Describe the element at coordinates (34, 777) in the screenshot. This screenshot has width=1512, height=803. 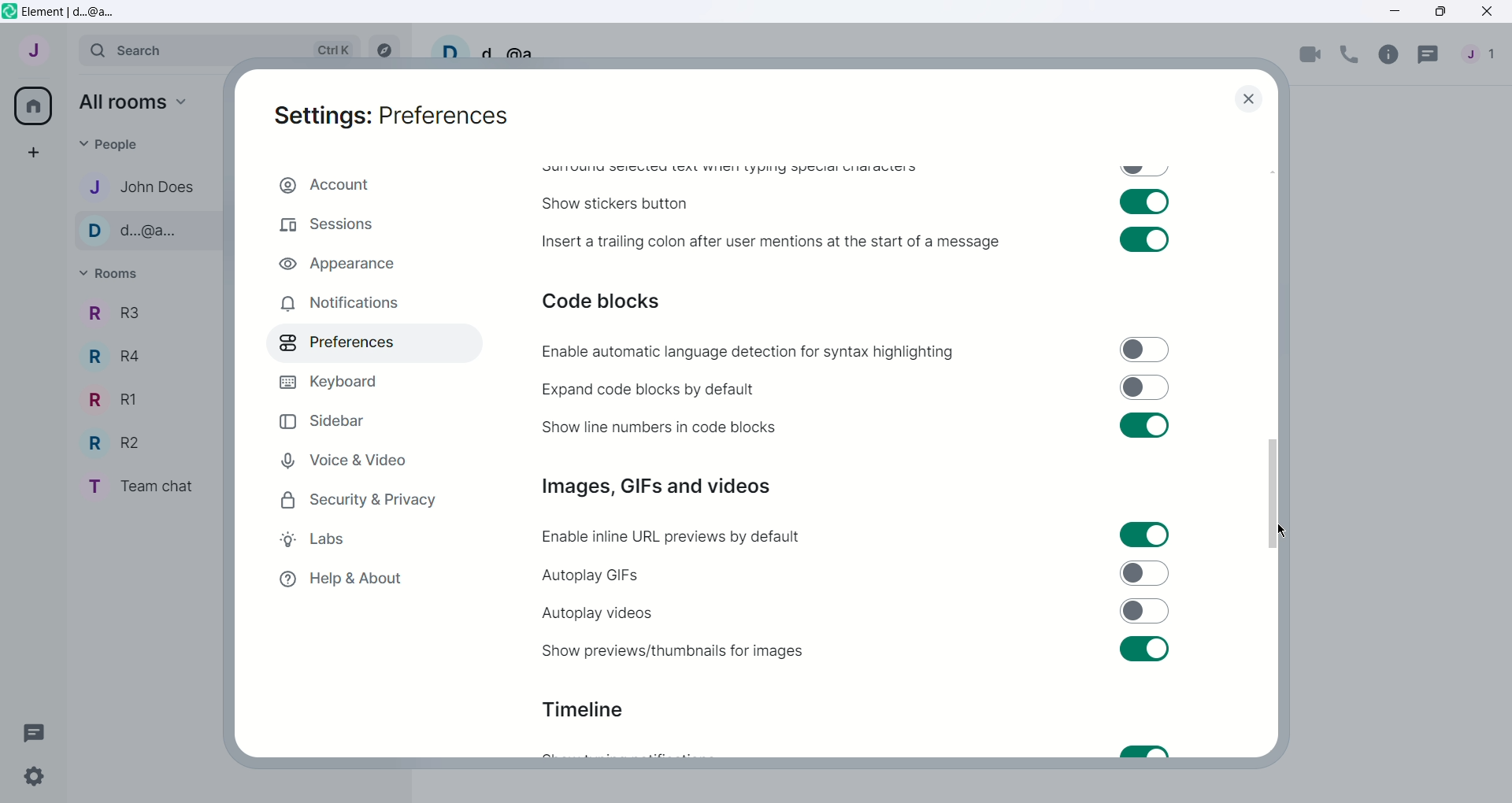
I see `Quick Settings` at that location.